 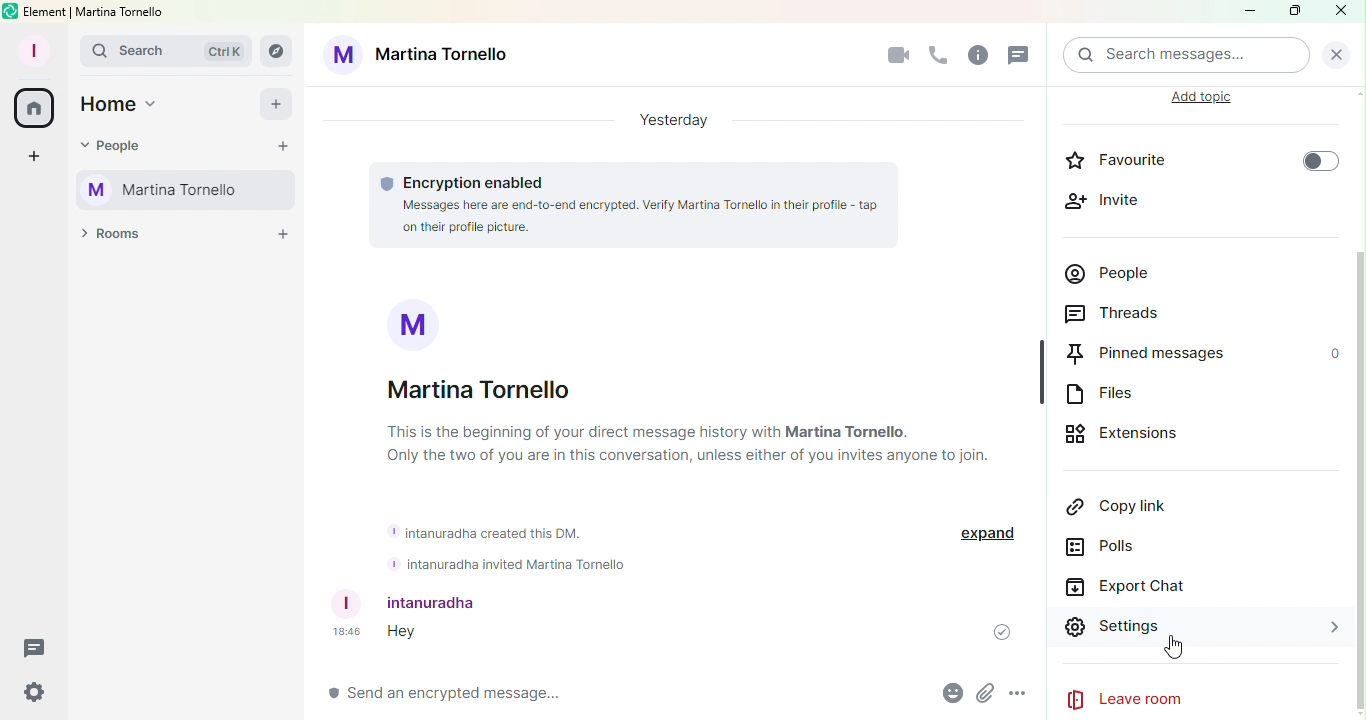 What do you see at coordinates (999, 632) in the screenshot?
I see `message sent` at bounding box center [999, 632].